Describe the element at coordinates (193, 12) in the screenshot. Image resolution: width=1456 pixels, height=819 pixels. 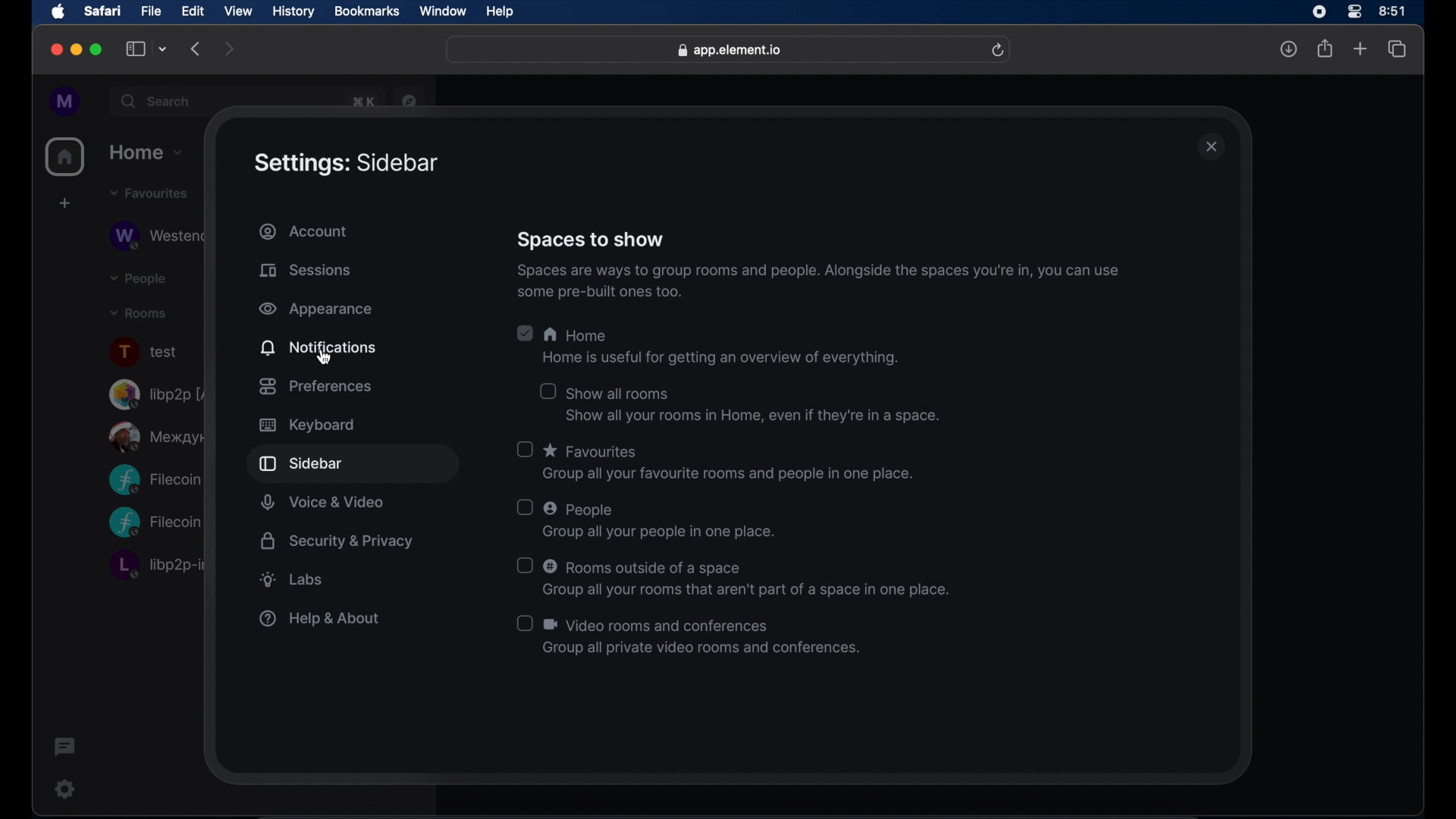
I see `edit` at that location.